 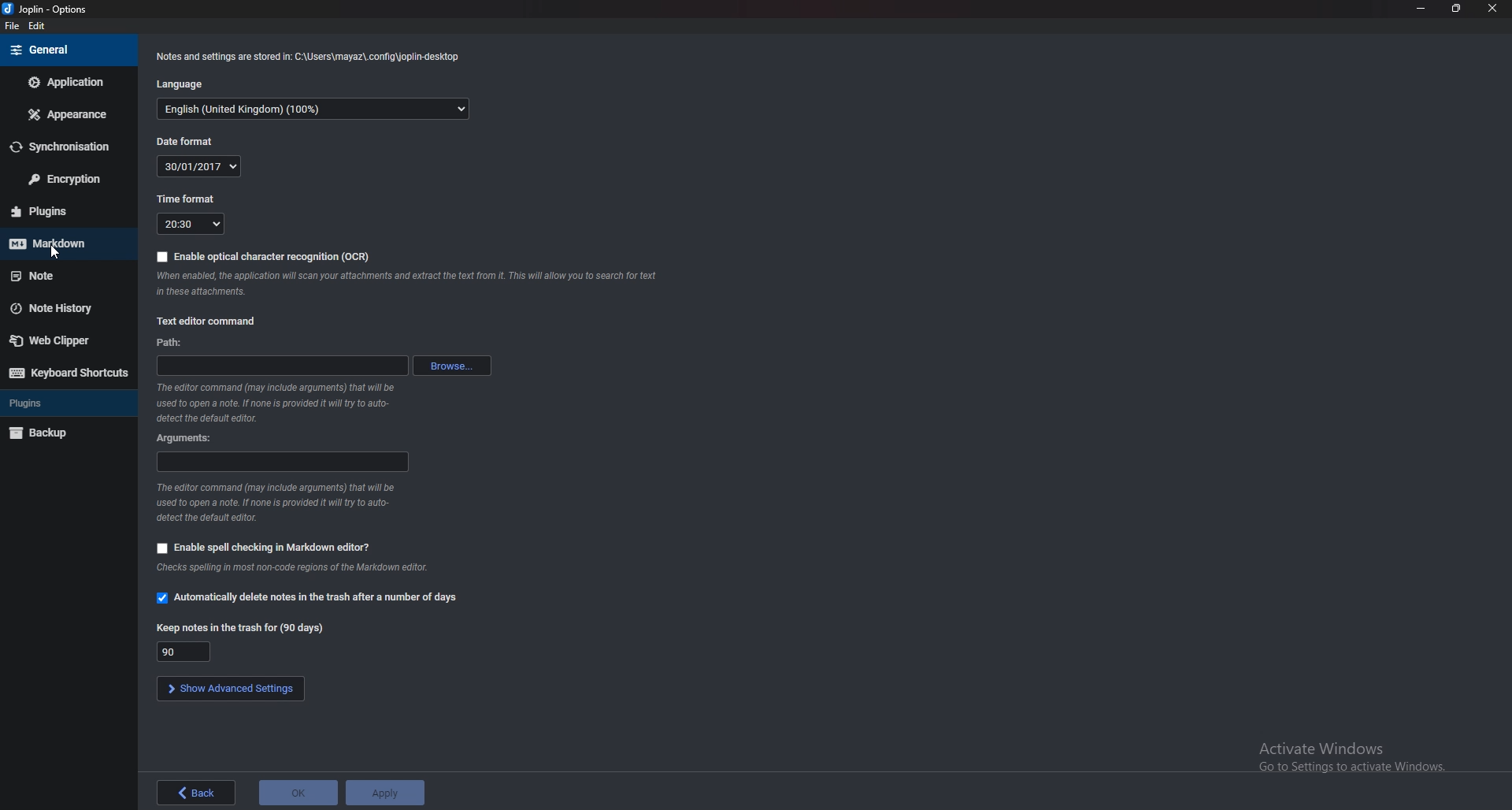 What do you see at coordinates (187, 200) in the screenshot?
I see `Time format` at bounding box center [187, 200].